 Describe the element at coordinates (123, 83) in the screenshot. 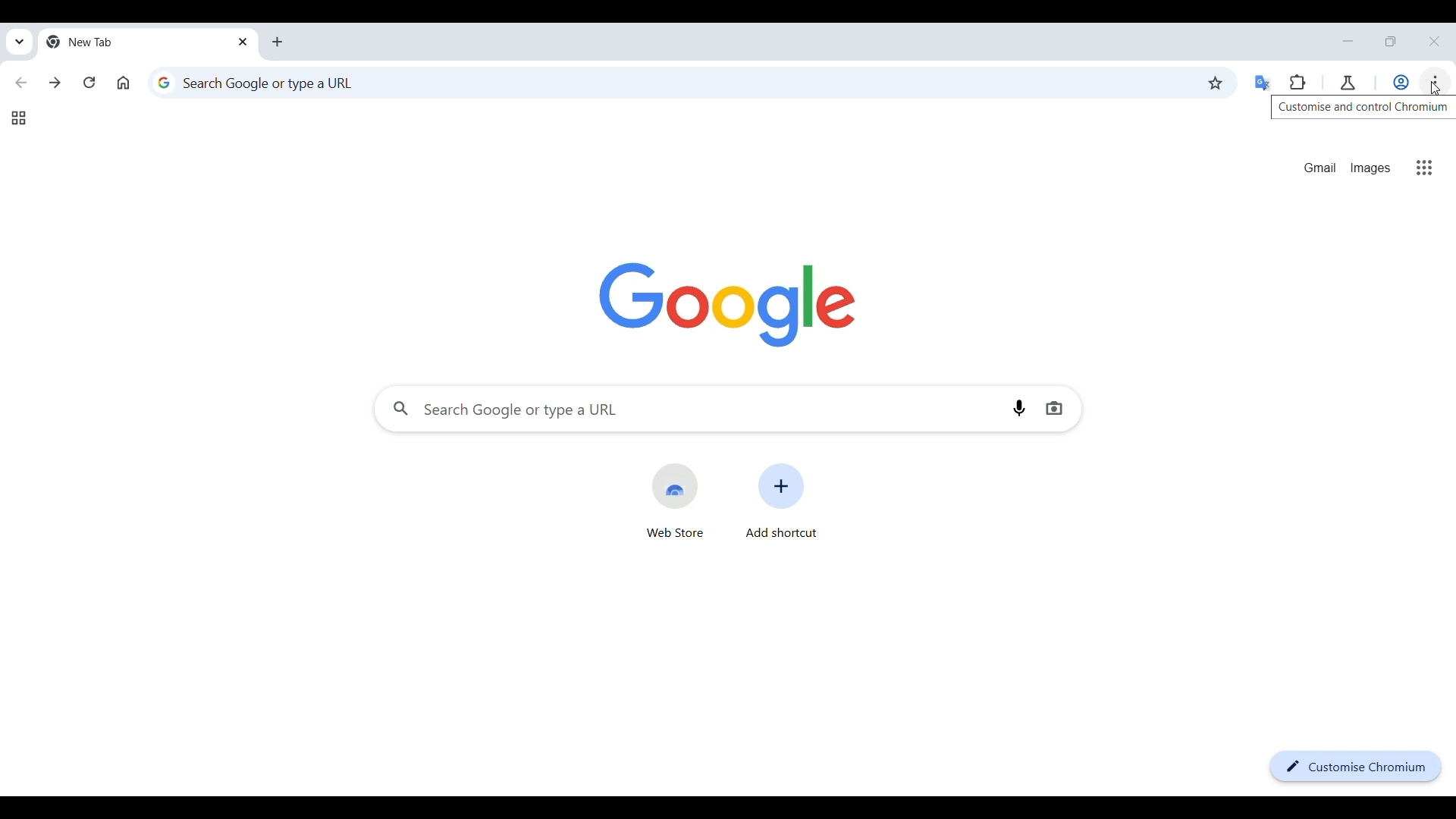

I see `Go to homepage` at that location.